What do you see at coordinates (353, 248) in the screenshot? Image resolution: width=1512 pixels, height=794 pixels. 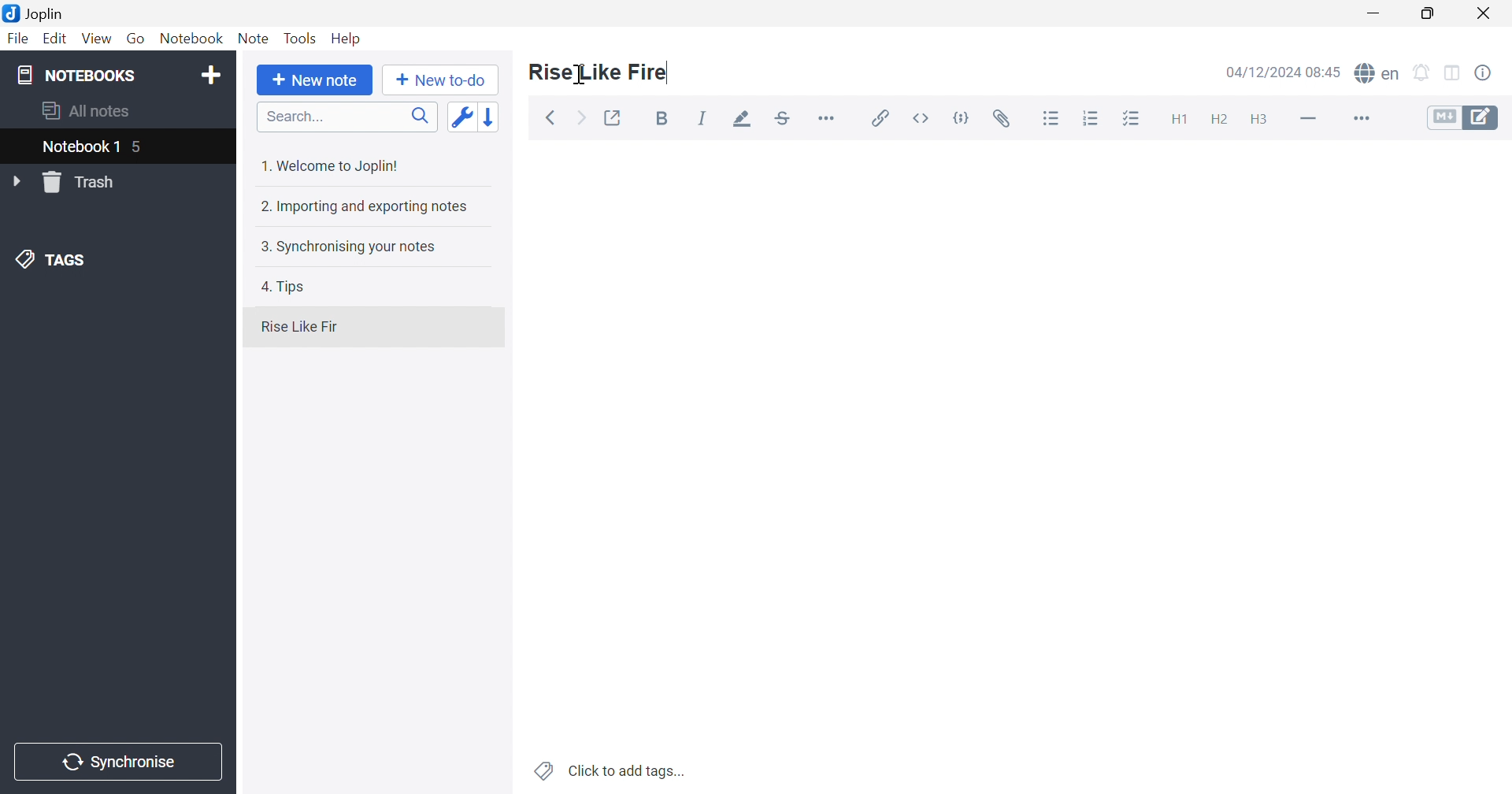 I see `3. Synchronising your notes` at bounding box center [353, 248].